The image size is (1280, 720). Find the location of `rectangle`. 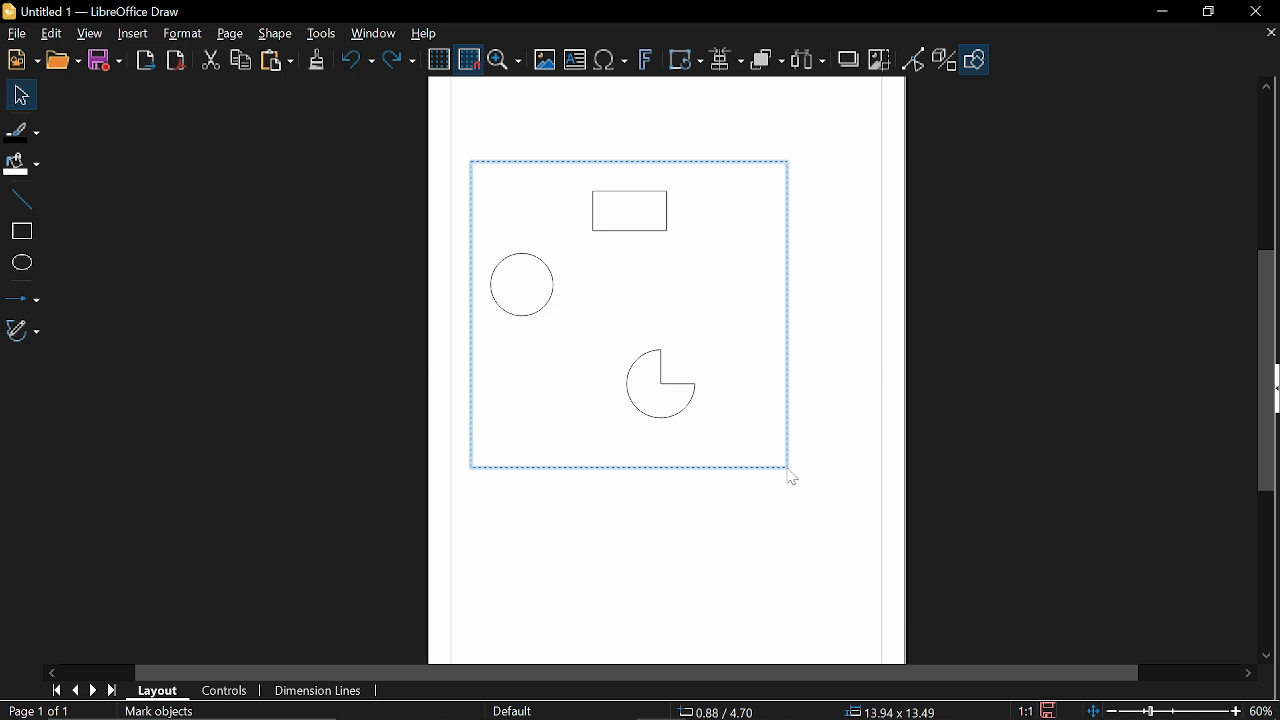

rectangle is located at coordinates (18, 228).